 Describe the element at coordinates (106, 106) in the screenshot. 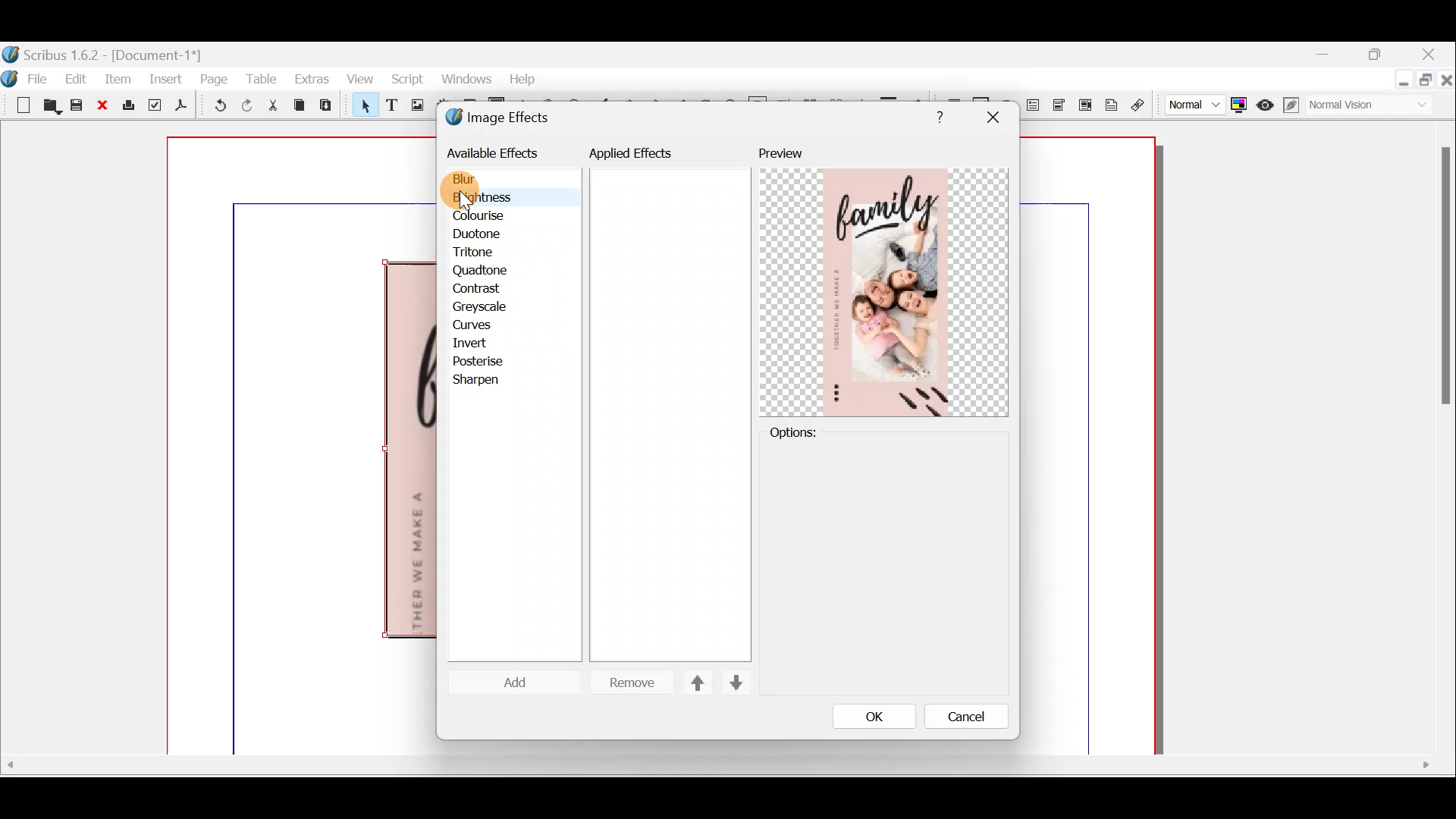

I see `Close` at that location.